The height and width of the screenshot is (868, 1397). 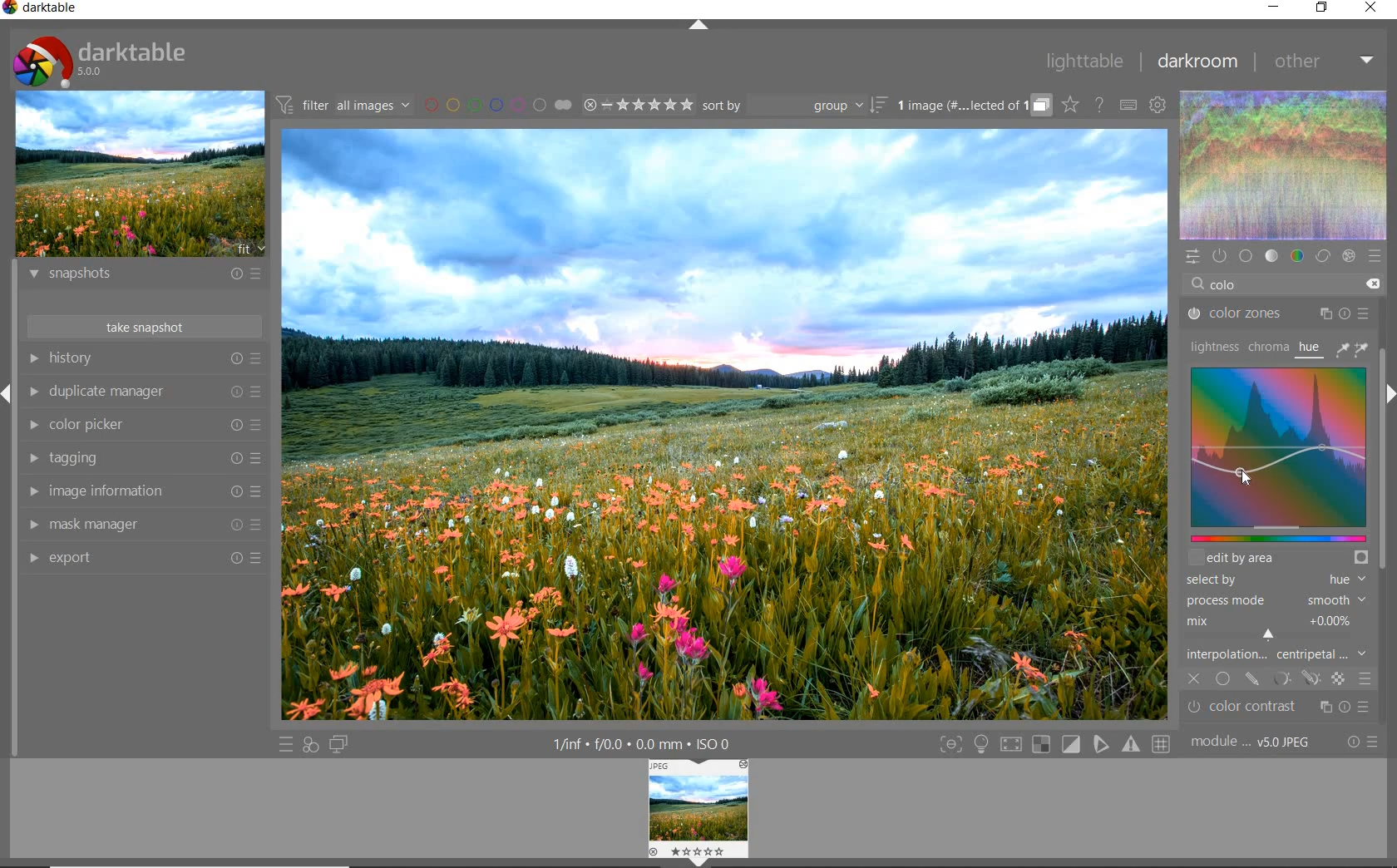 What do you see at coordinates (1156, 105) in the screenshot?
I see `show global preferences` at bounding box center [1156, 105].